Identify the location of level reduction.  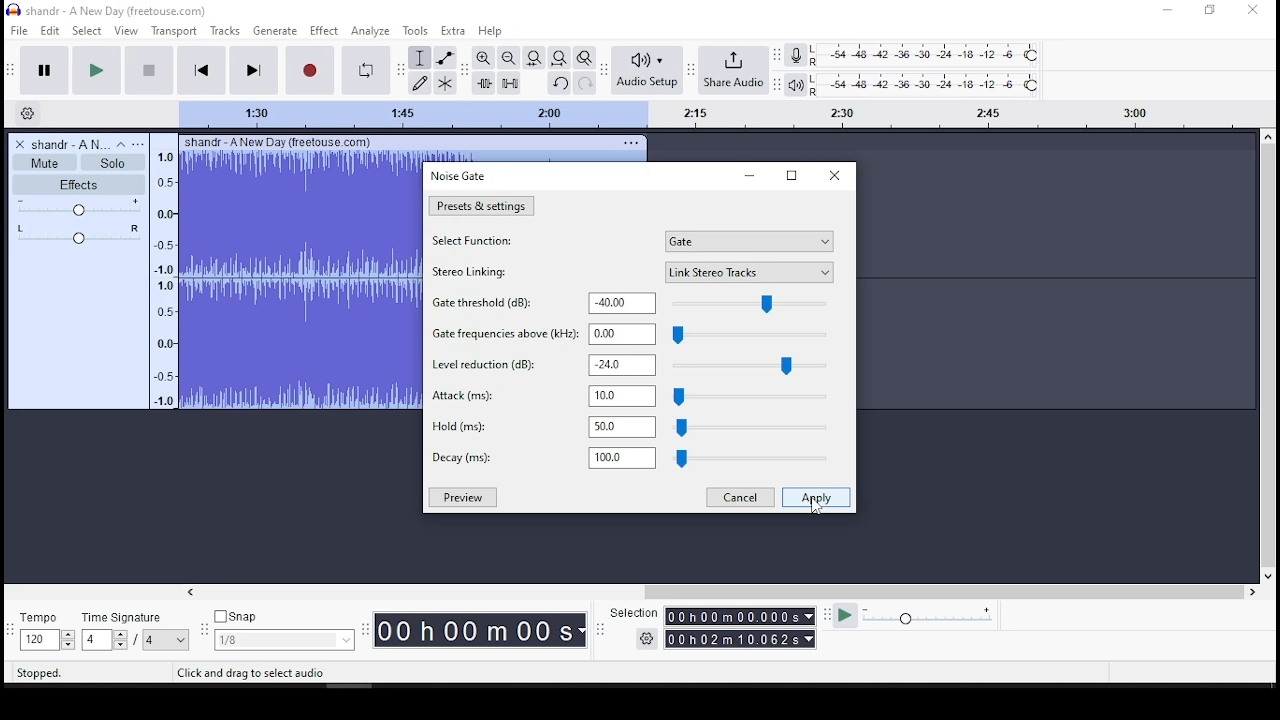
(630, 365).